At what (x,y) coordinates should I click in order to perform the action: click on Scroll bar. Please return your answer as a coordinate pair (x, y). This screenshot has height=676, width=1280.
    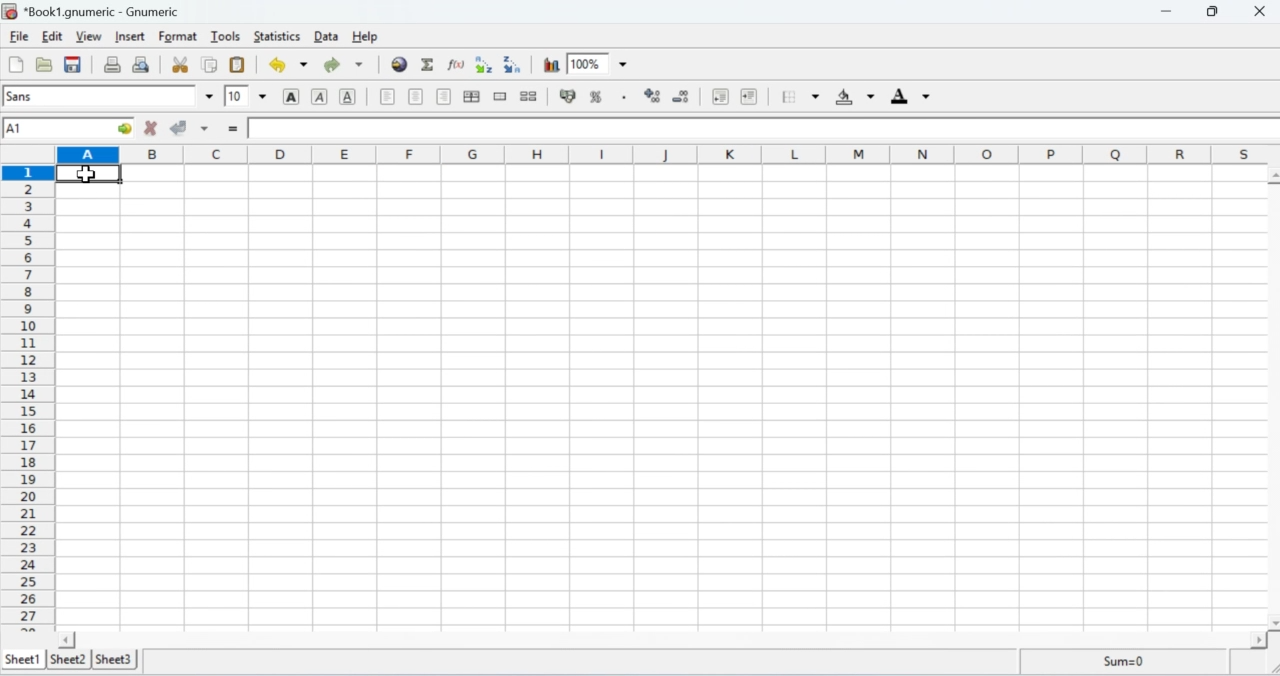
    Looking at the image, I should click on (669, 639).